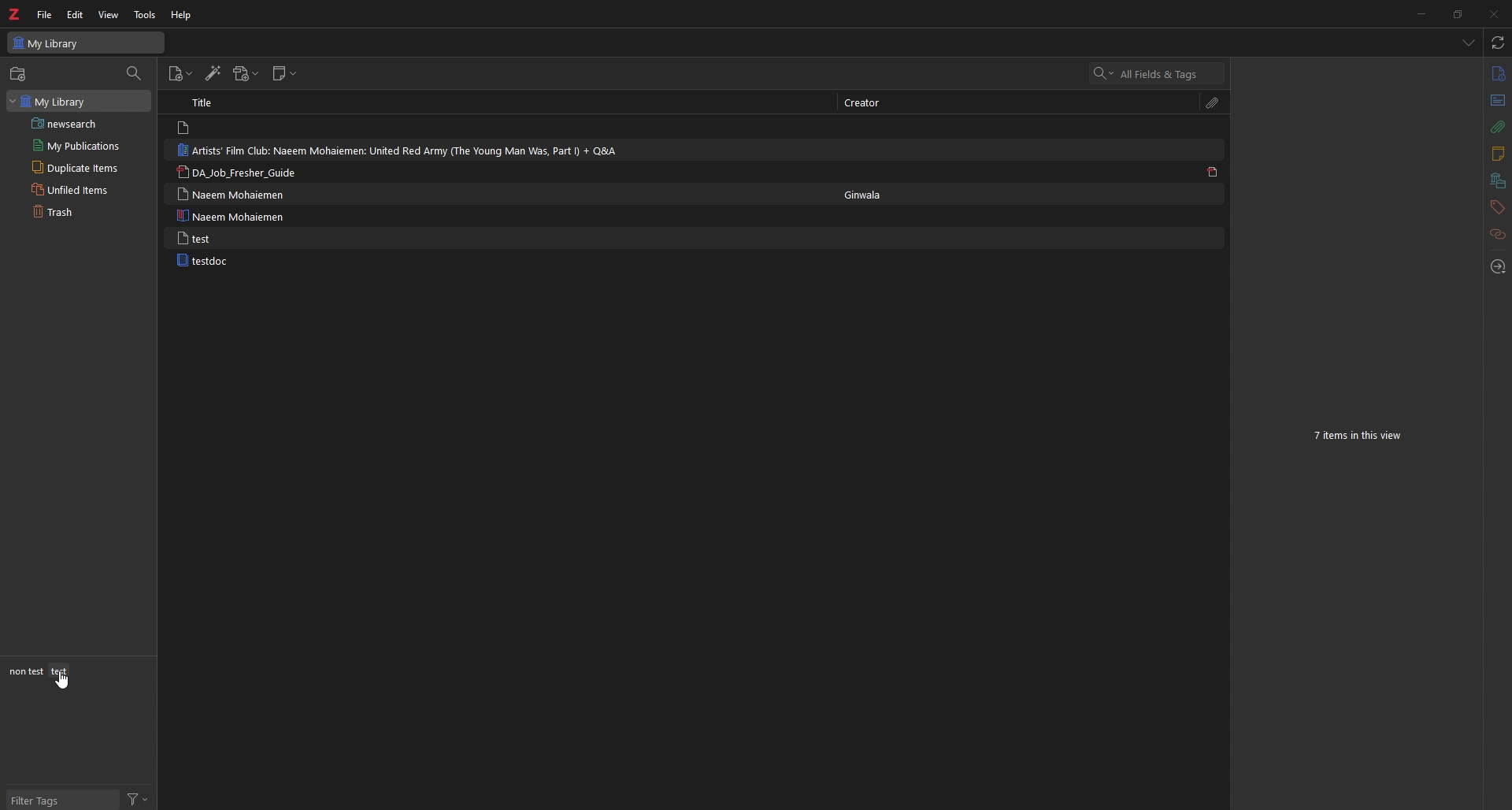 The width and height of the screenshot is (1512, 810). I want to click on notes, so click(1496, 154).